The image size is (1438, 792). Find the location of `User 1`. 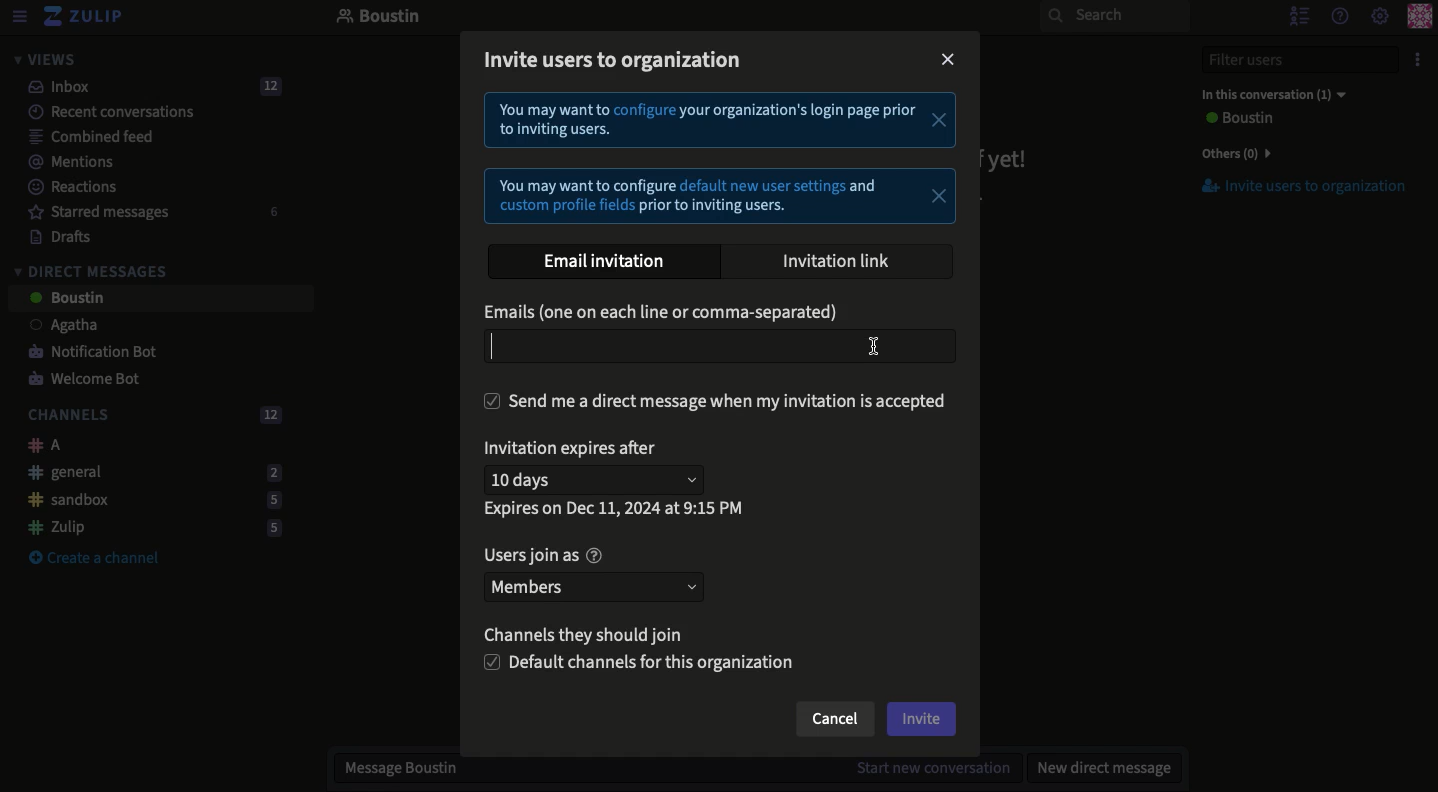

User 1 is located at coordinates (53, 327).